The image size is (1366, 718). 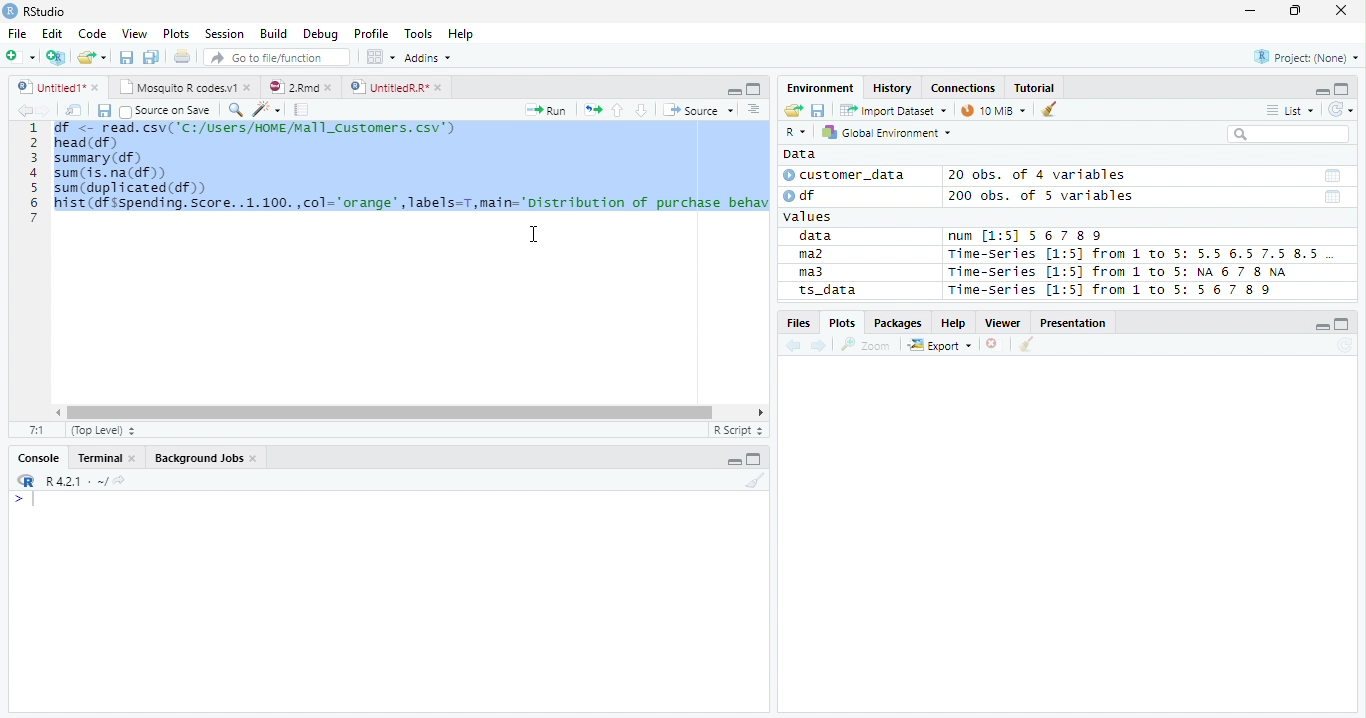 What do you see at coordinates (1333, 198) in the screenshot?
I see `Date` at bounding box center [1333, 198].